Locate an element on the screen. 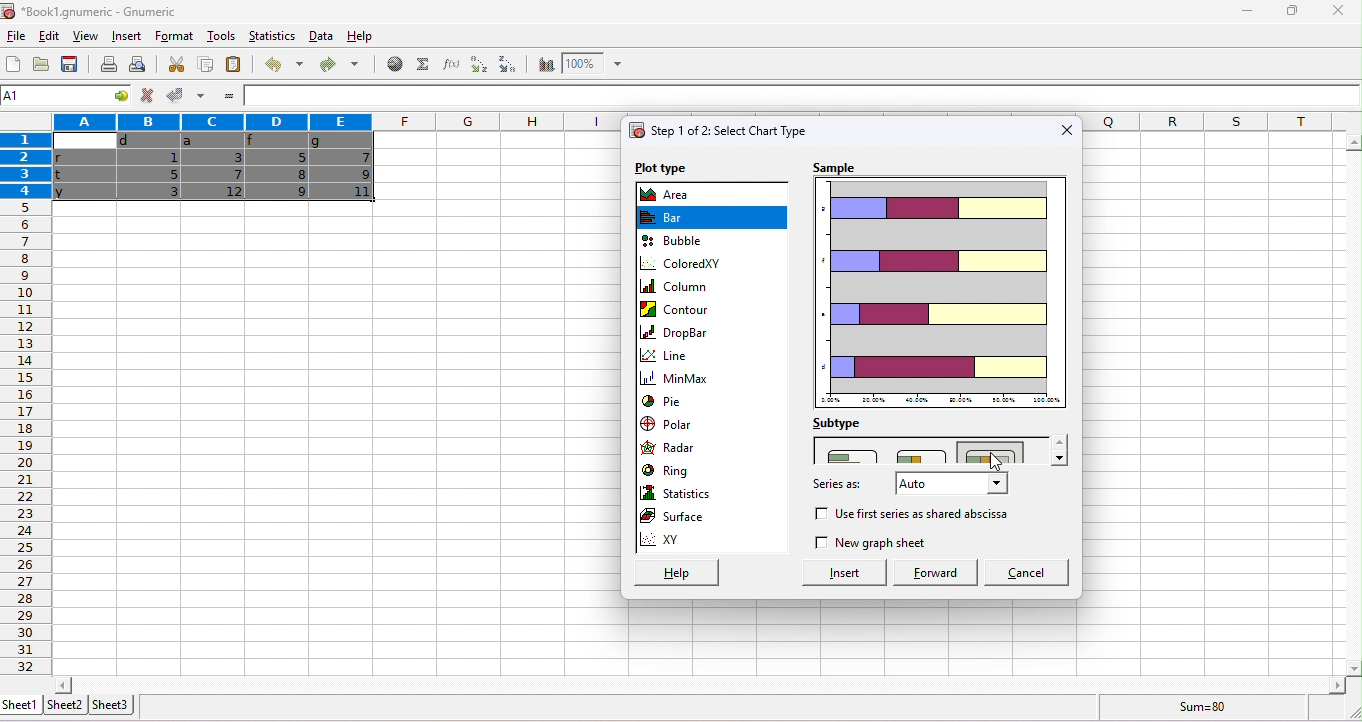 The image size is (1362, 722). ring is located at coordinates (670, 470).